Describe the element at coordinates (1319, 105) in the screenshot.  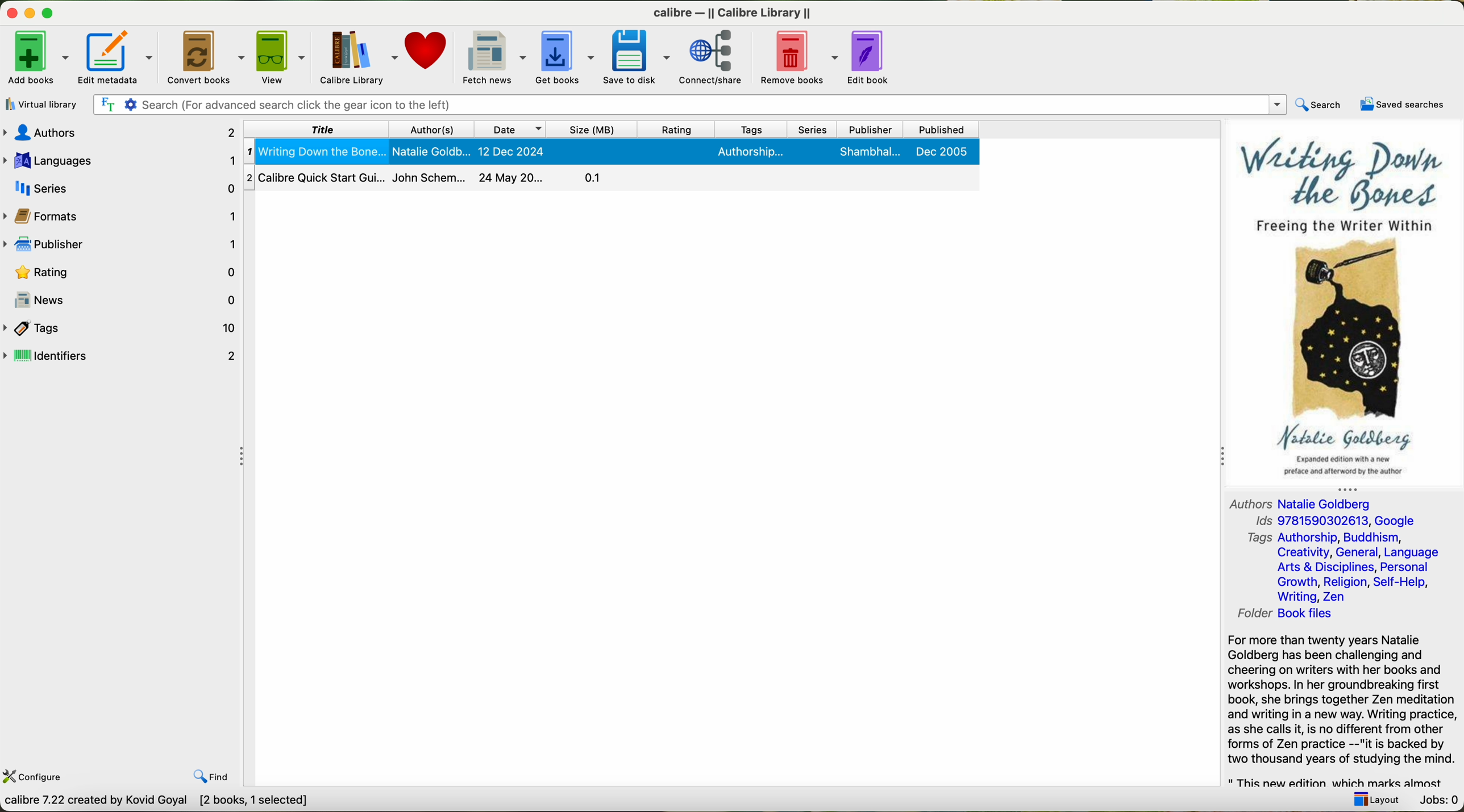
I see `search` at that location.